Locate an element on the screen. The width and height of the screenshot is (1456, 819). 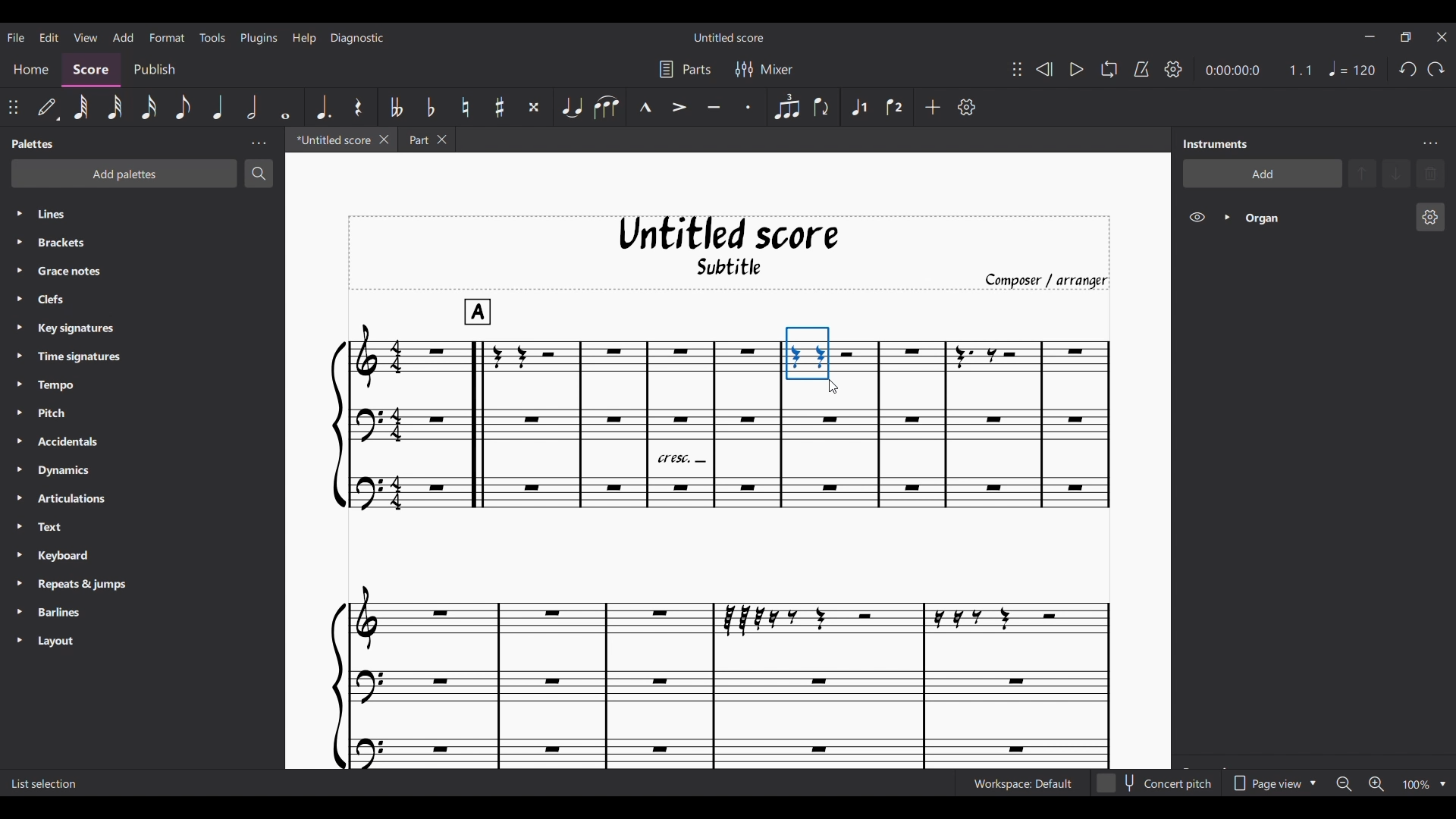
Search is located at coordinates (259, 173).